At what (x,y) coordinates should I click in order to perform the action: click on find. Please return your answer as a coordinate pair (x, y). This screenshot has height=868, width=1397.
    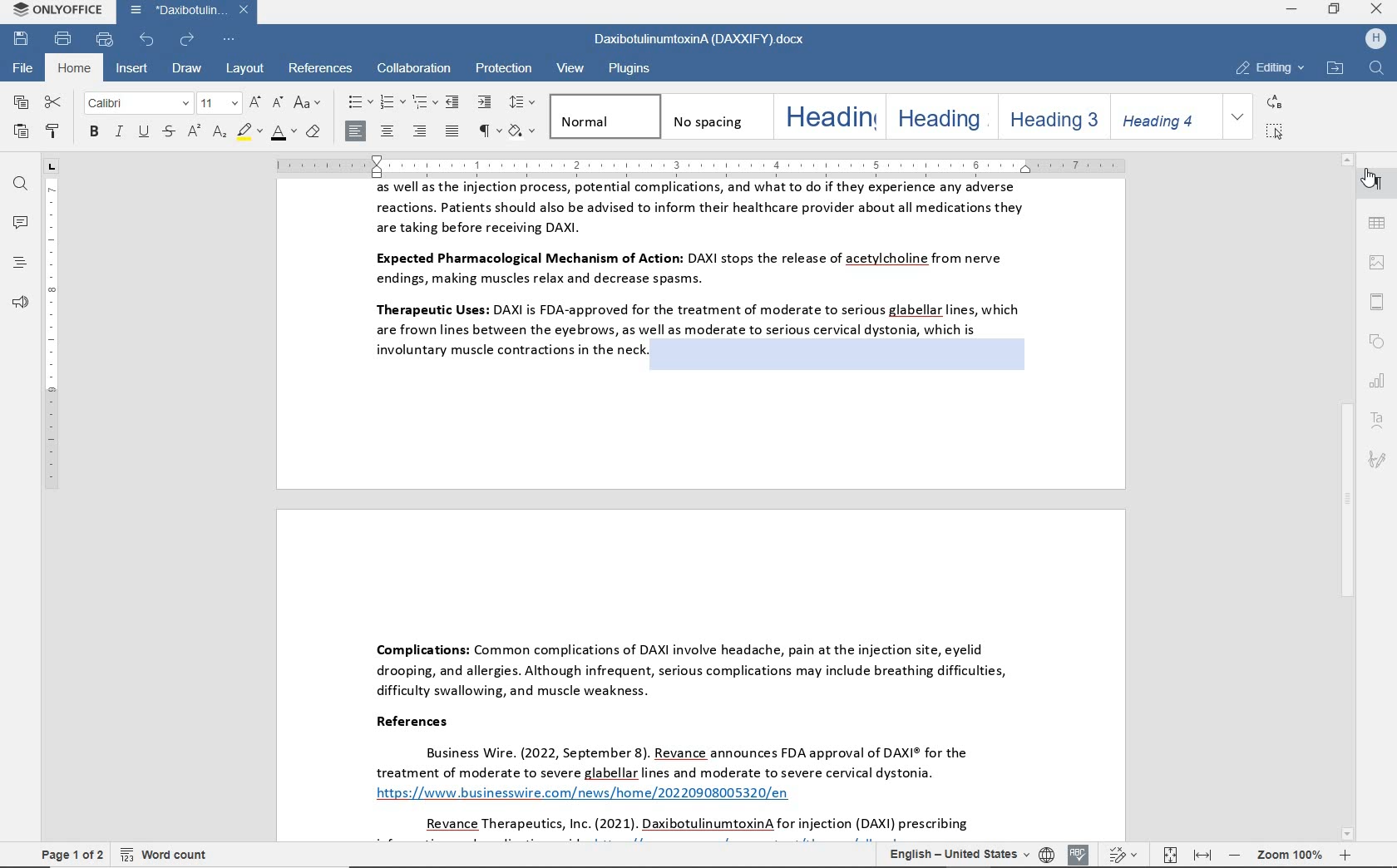
    Looking at the image, I should click on (1375, 70).